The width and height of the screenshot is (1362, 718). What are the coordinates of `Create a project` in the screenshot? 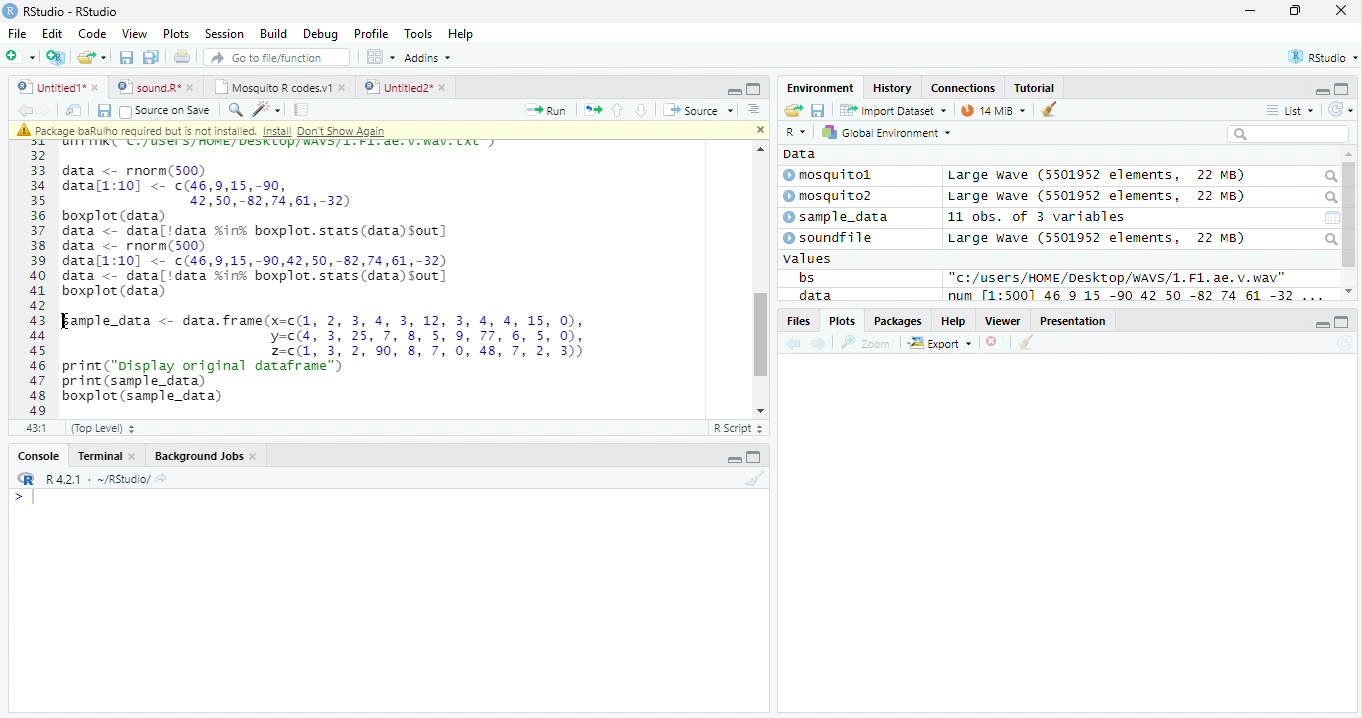 It's located at (58, 57).